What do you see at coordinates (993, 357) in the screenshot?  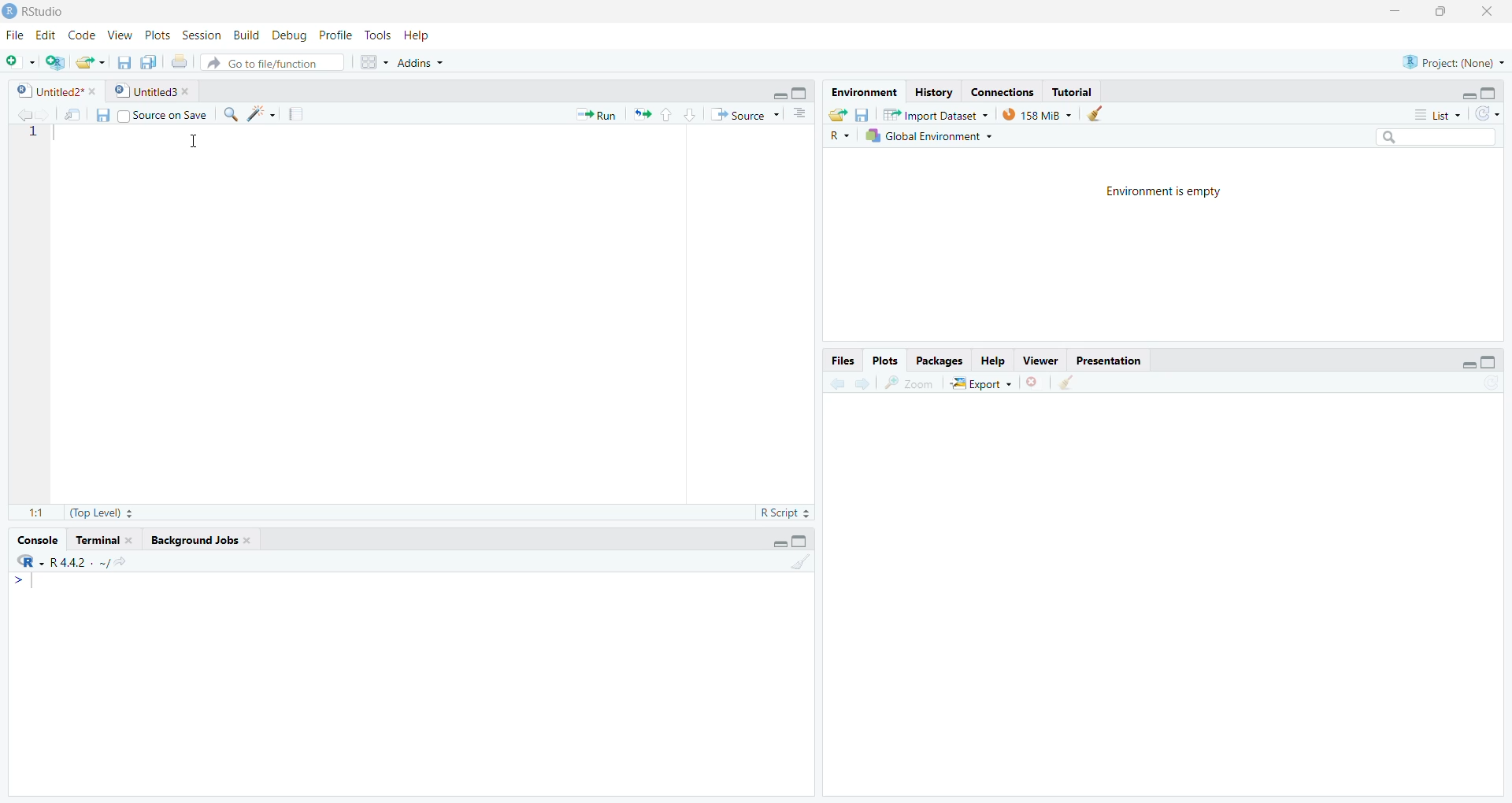 I see `Help` at bounding box center [993, 357].